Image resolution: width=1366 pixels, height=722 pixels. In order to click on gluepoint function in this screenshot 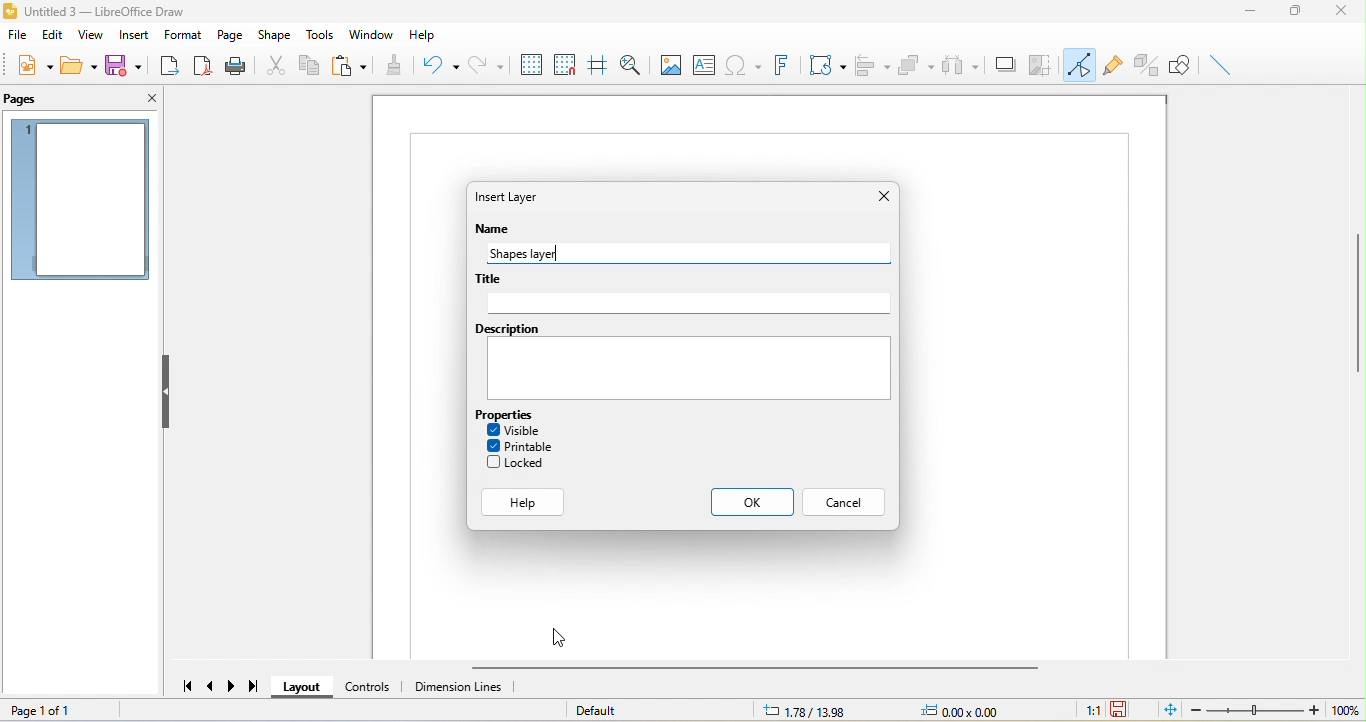, I will do `click(1115, 65)`.